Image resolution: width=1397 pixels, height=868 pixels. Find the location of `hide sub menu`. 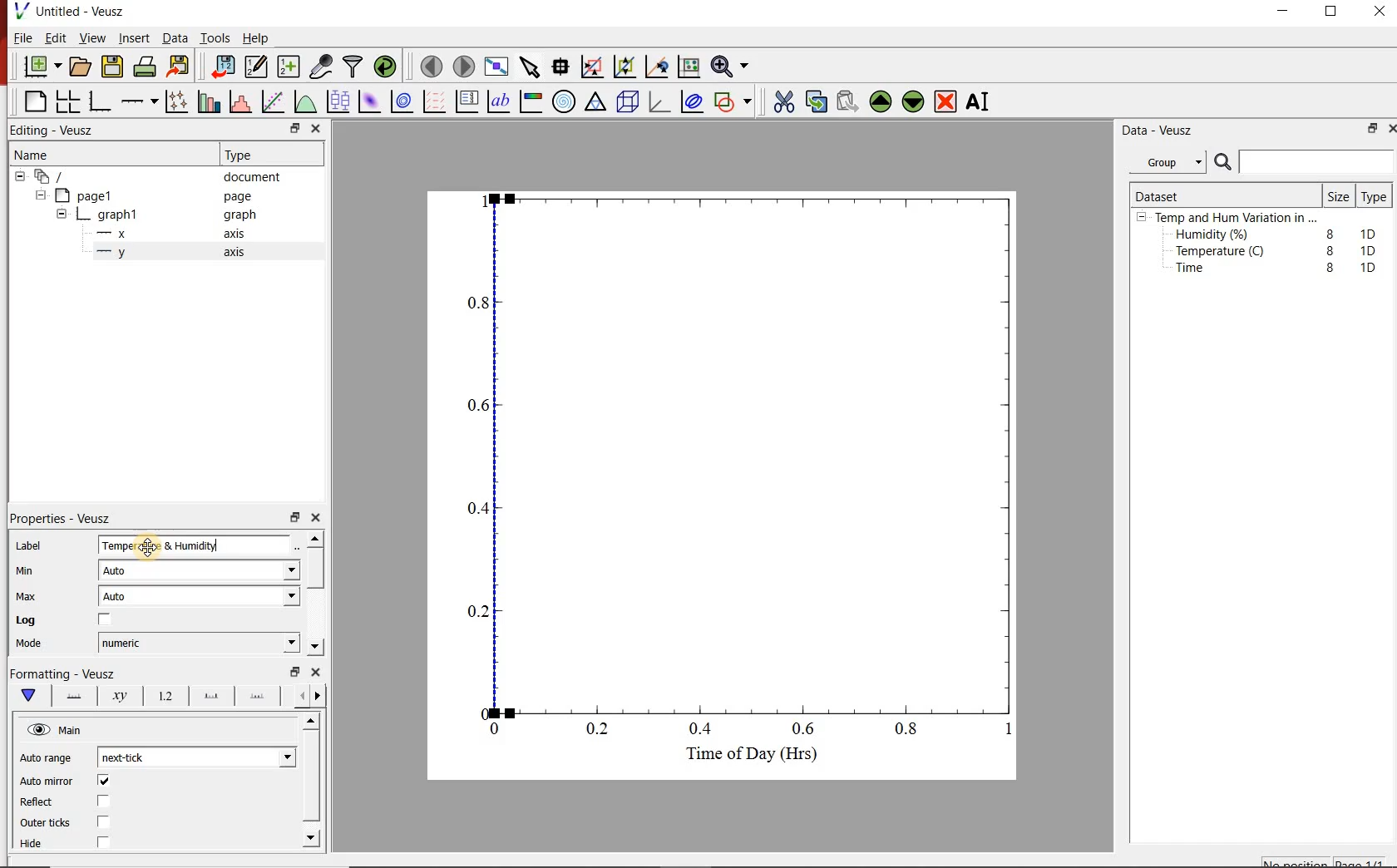

hide sub menu is located at coordinates (18, 179).